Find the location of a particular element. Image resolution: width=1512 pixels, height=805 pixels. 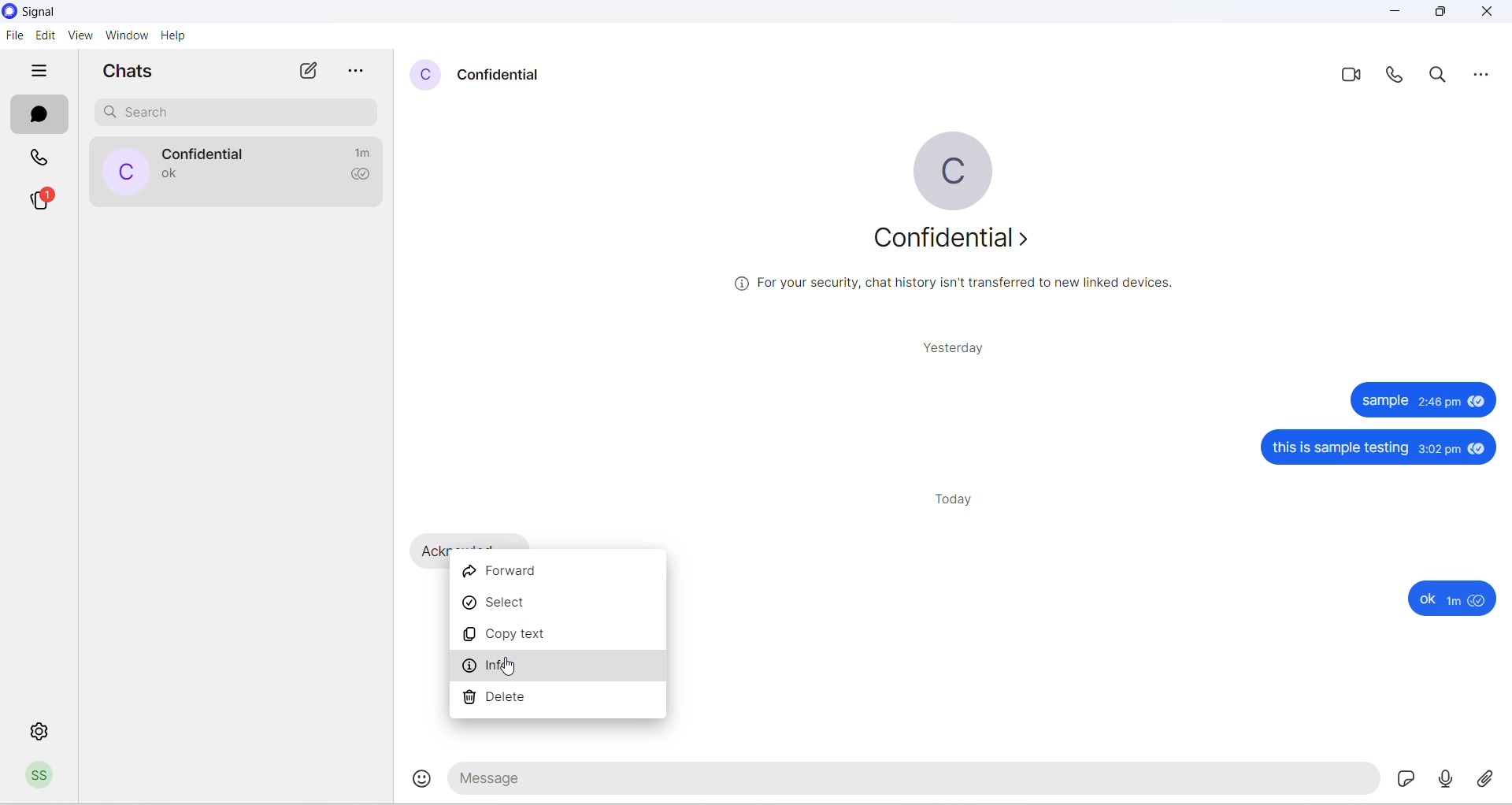

last message is located at coordinates (173, 174).